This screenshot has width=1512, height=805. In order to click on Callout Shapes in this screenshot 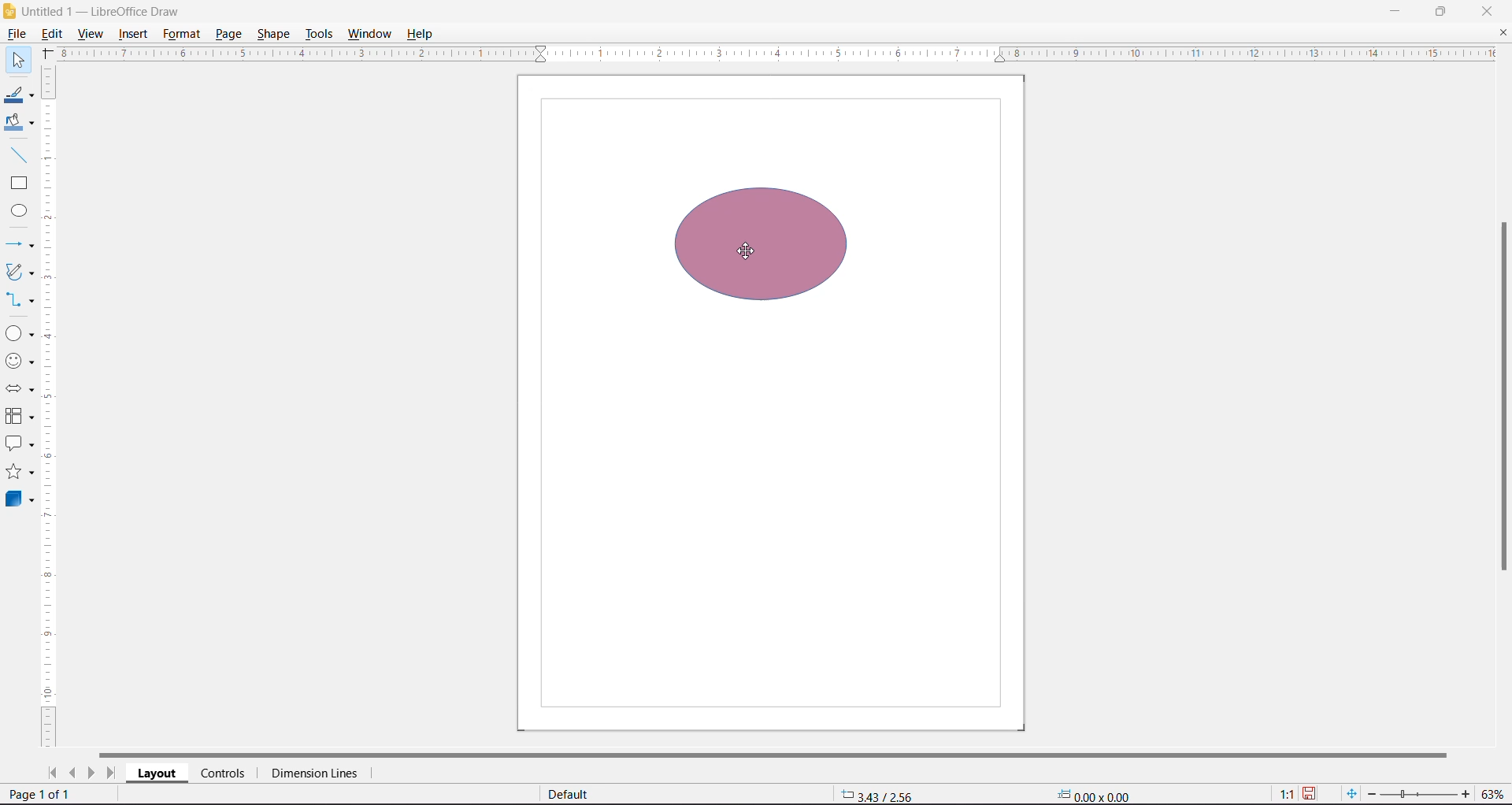, I will do `click(20, 443)`.